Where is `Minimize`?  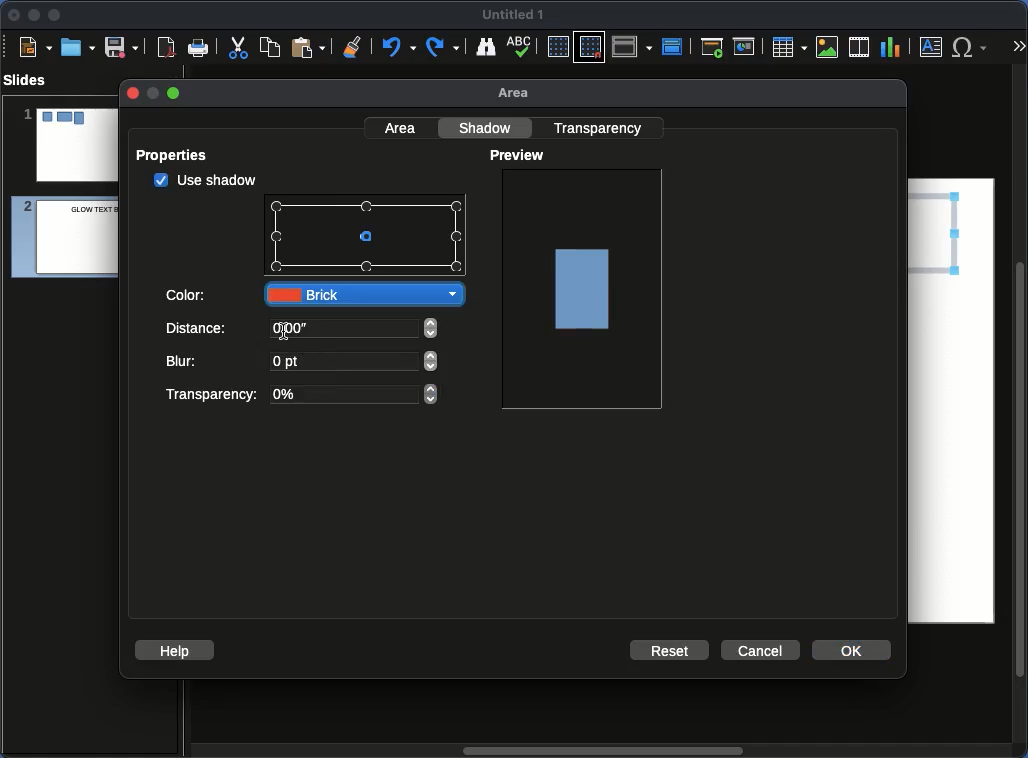 Minimize is located at coordinates (33, 14).